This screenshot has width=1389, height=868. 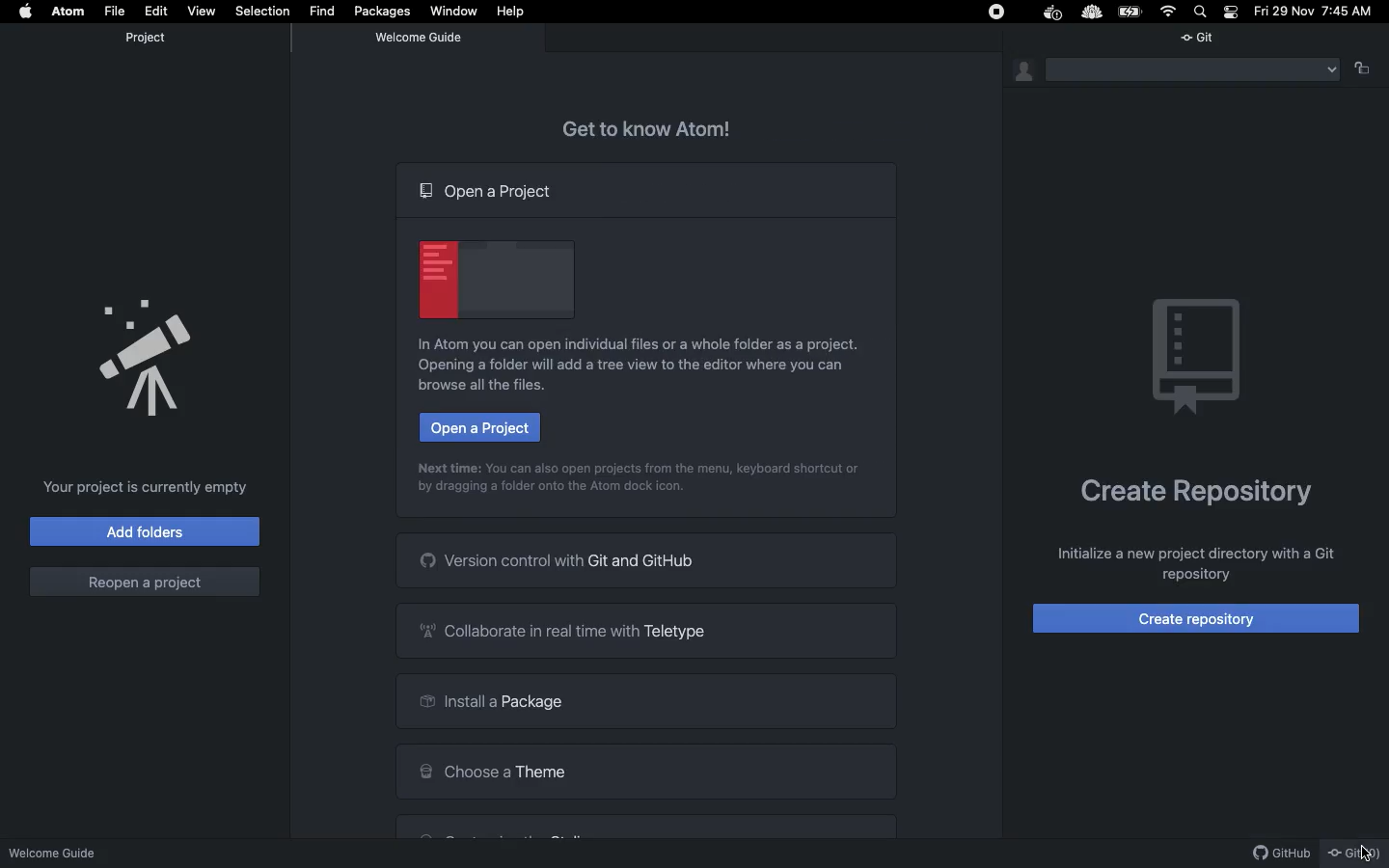 I want to click on Git identity, so click(x=1018, y=70).